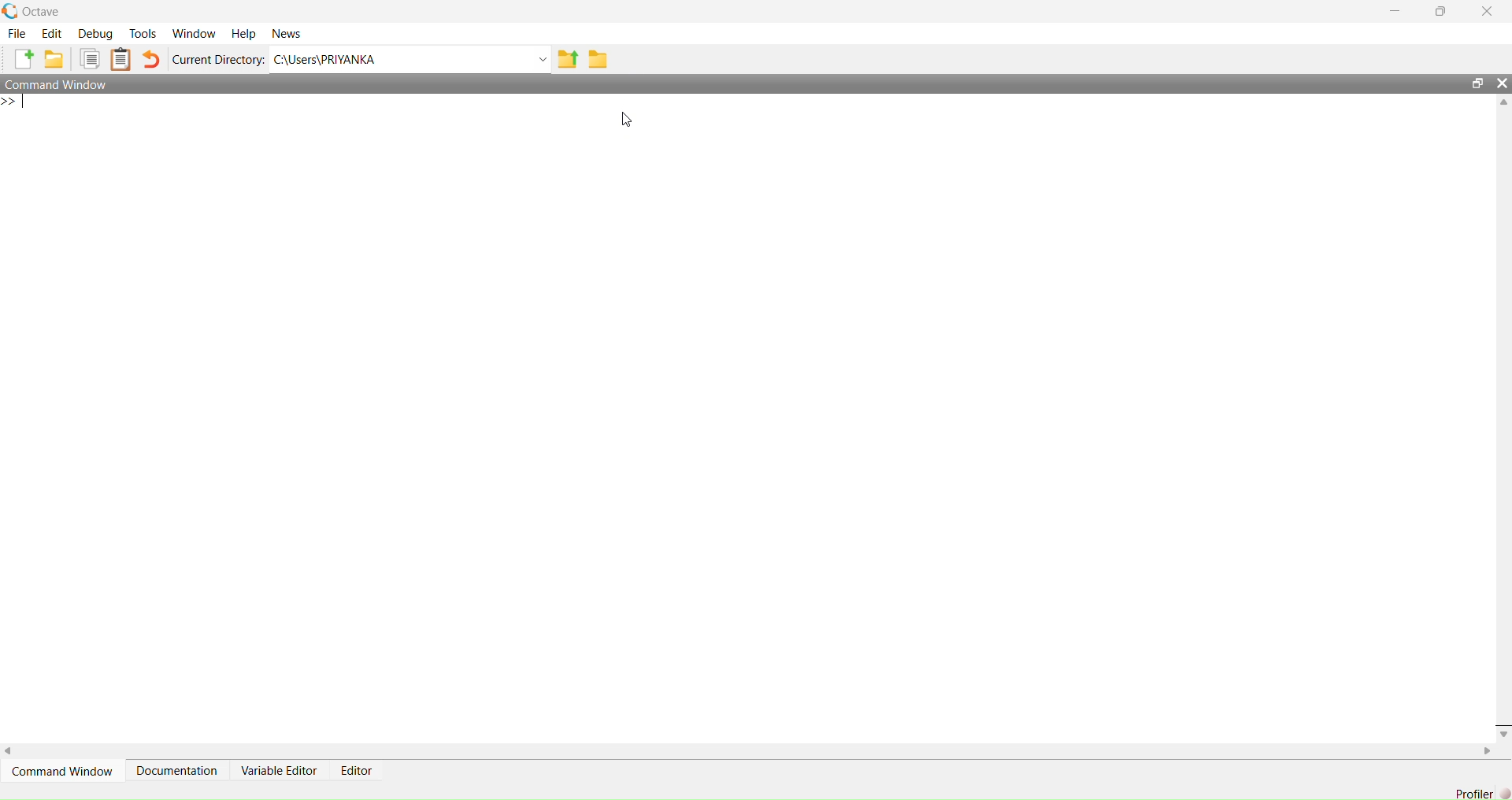  What do you see at coordinates (217, 59) in the screenshot?
I see `Current Directory:` at bounding box center [217, 59].